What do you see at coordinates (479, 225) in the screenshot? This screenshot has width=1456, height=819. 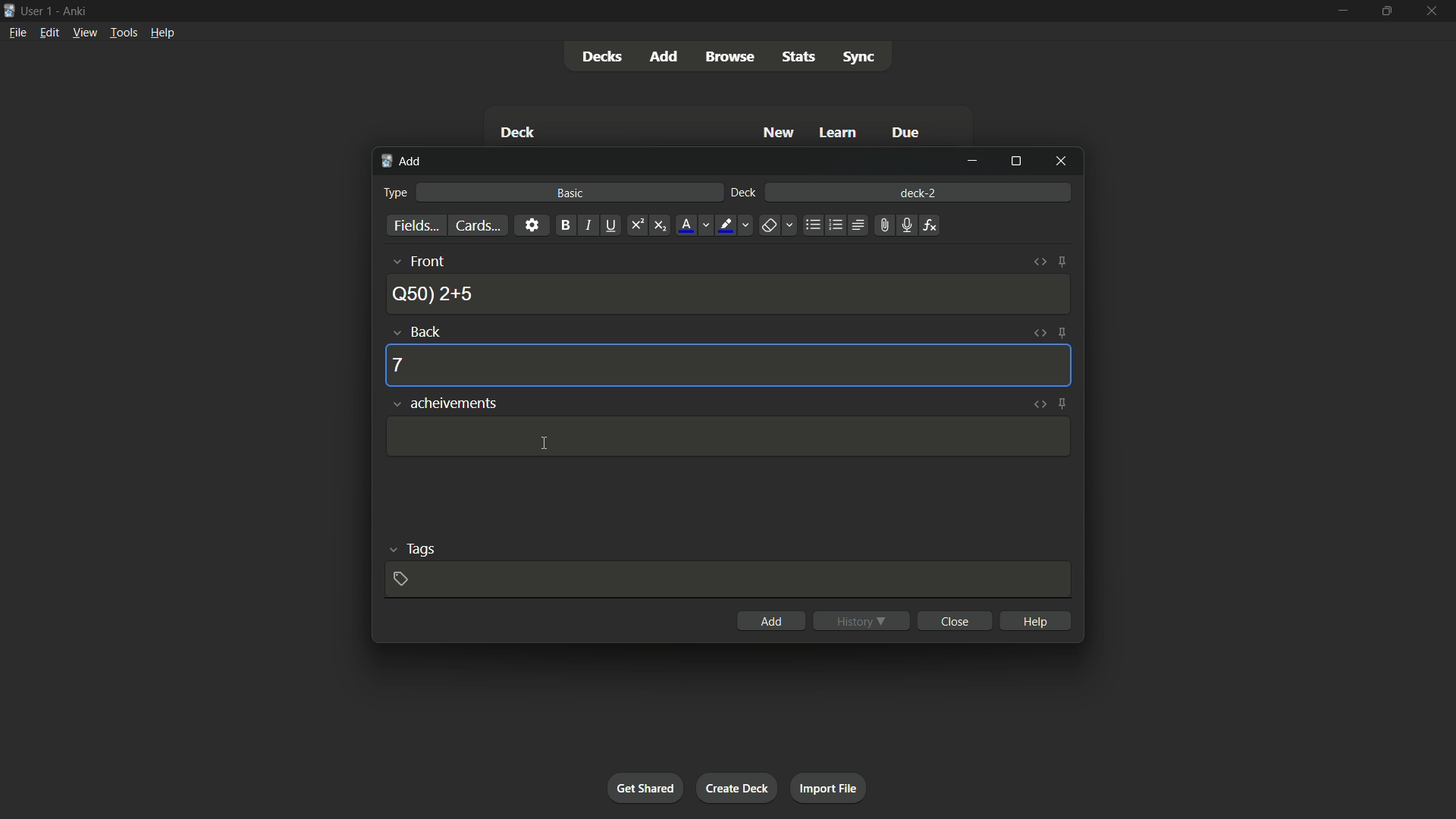 I see `cards` at bounding box center [479, 225].